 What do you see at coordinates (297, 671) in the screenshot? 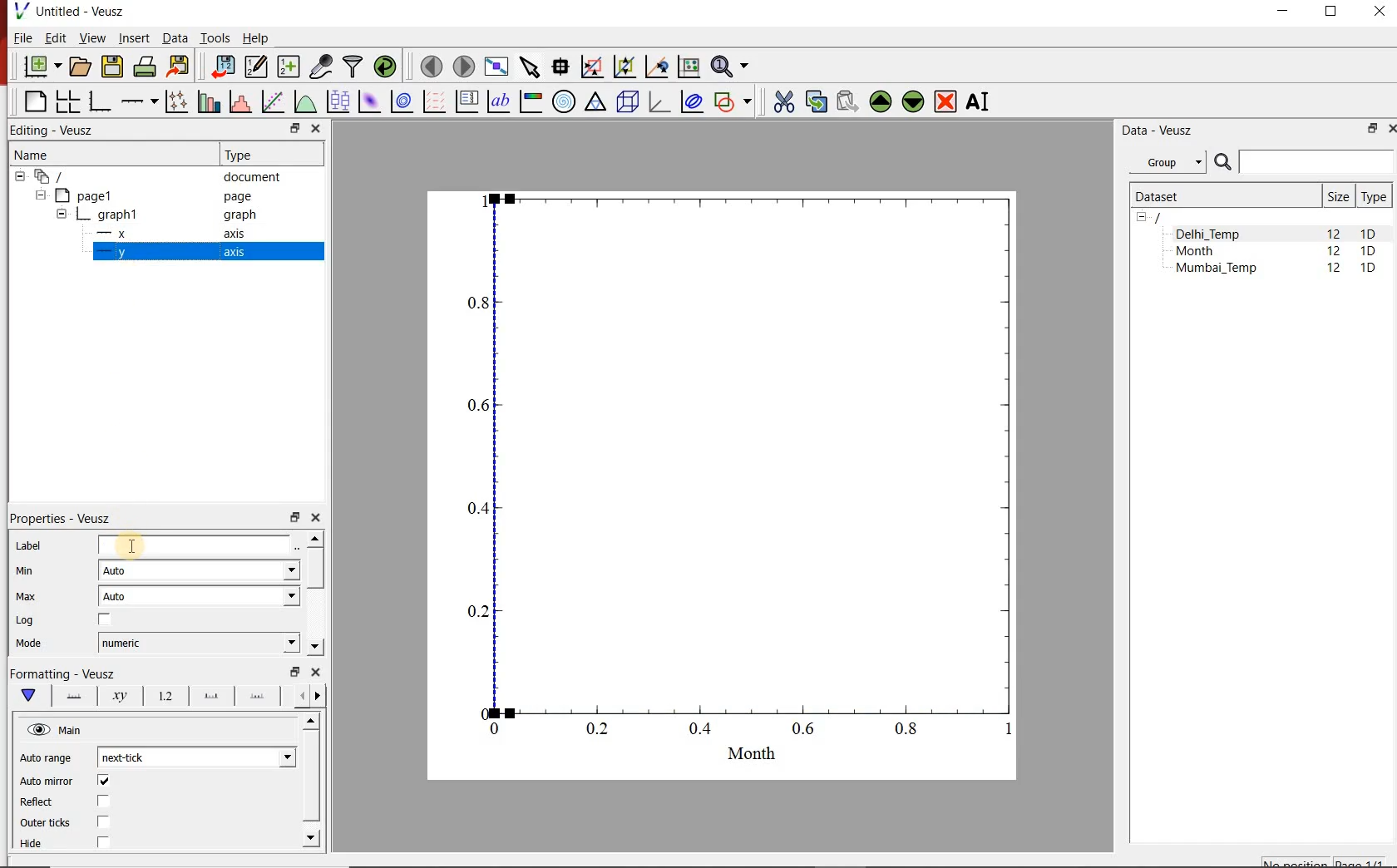
I see `restore` at bounding box center [297, 671].